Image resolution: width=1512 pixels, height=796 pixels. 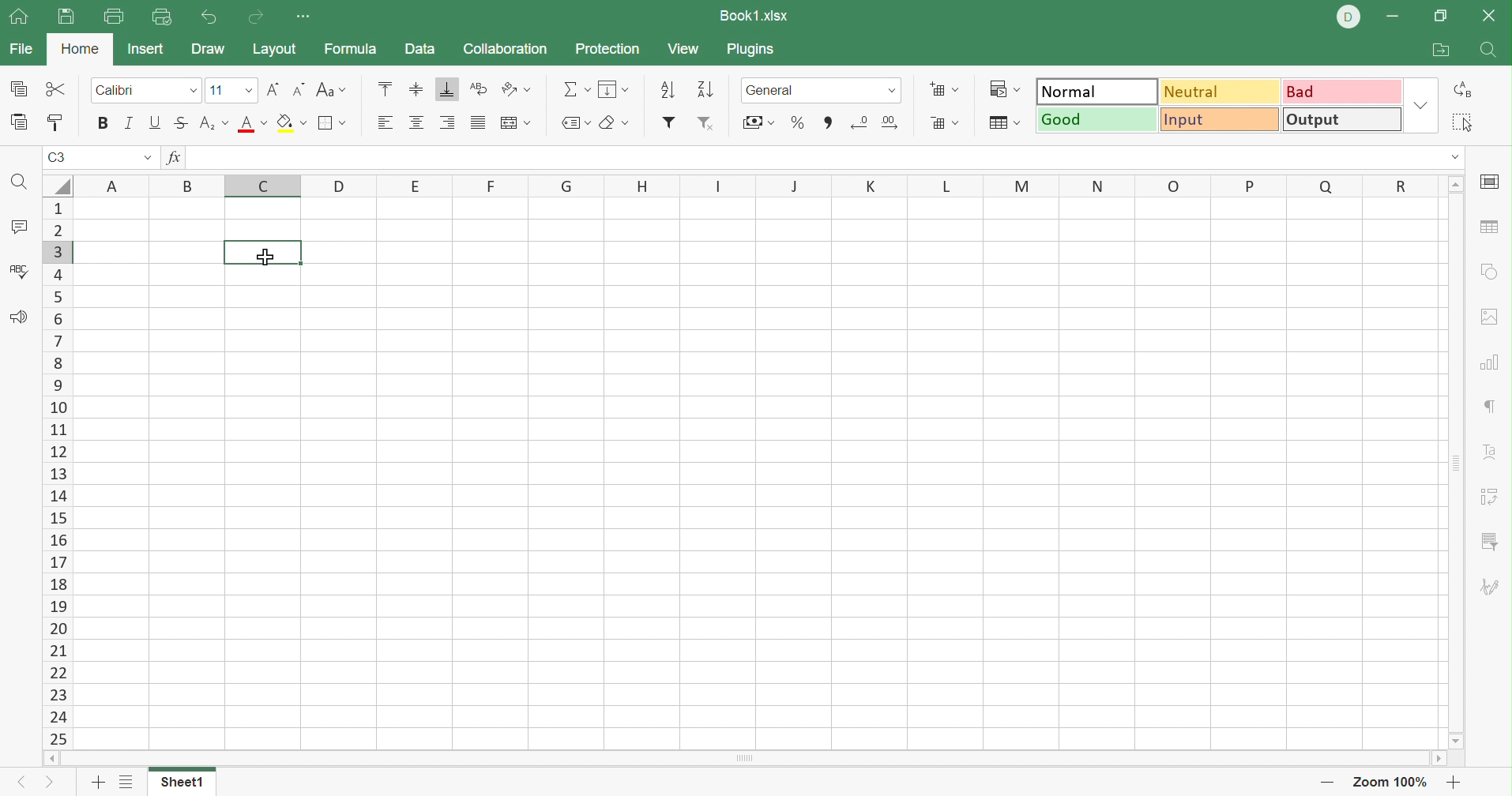 I want to click on Cursor, so click(x=264, y=257).